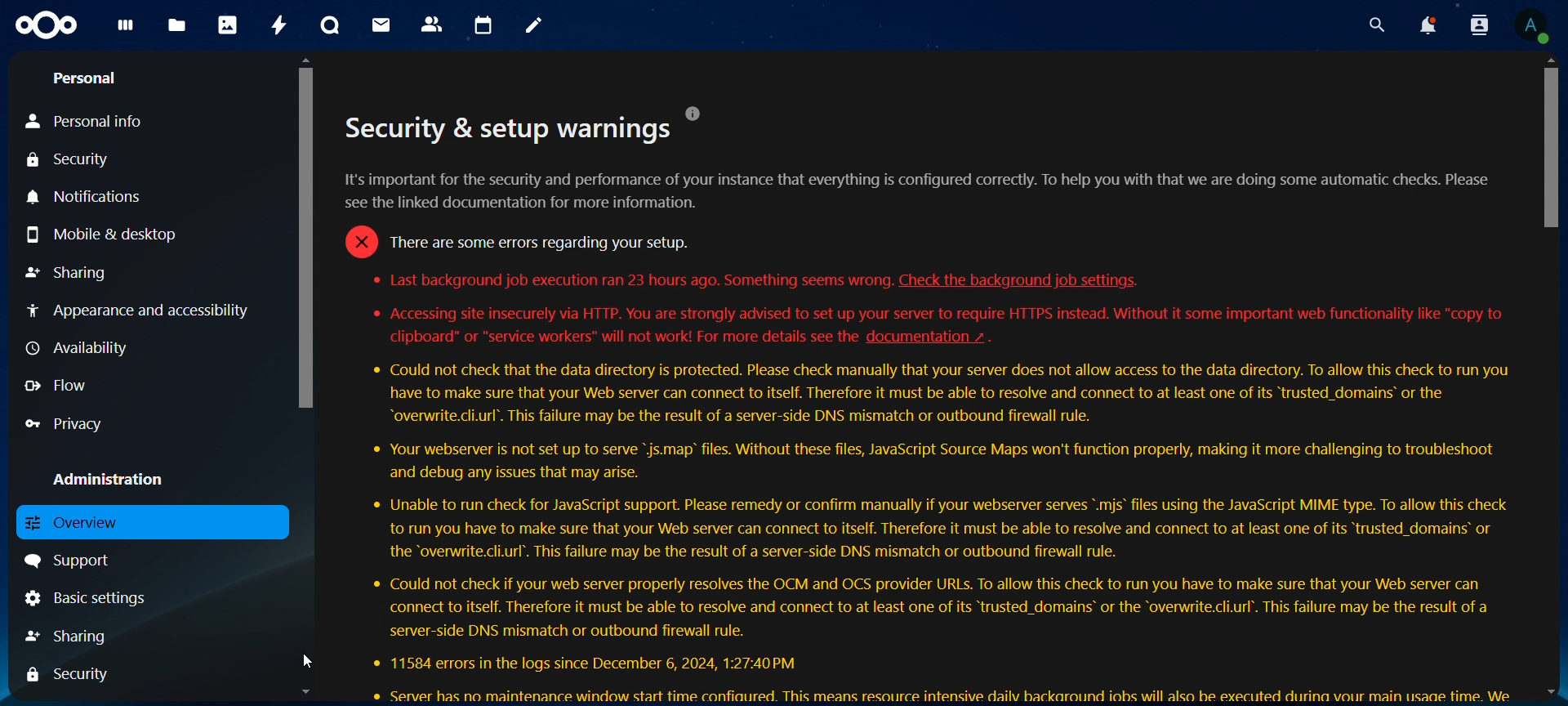 Image resolution: width=1568 pixels, height=706 pixels. What do you see at coordinates (332, 26) in the screenshot?
I see `talk` at bounding box center [332, 26].